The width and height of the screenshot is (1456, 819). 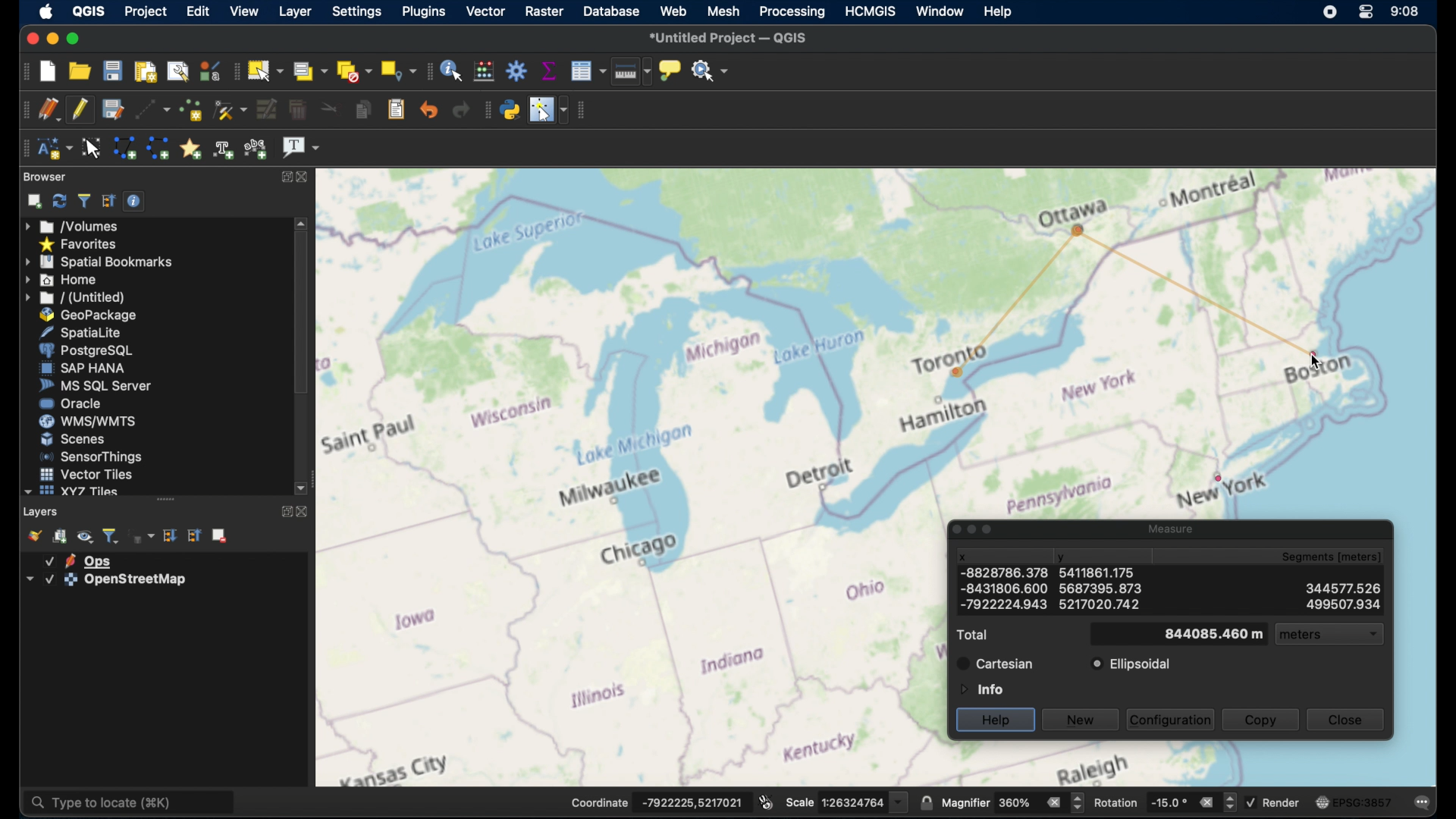 What do you see at coordinates (980, 688) in the screenshot?
I see `information` at bounding box center [980, 688].